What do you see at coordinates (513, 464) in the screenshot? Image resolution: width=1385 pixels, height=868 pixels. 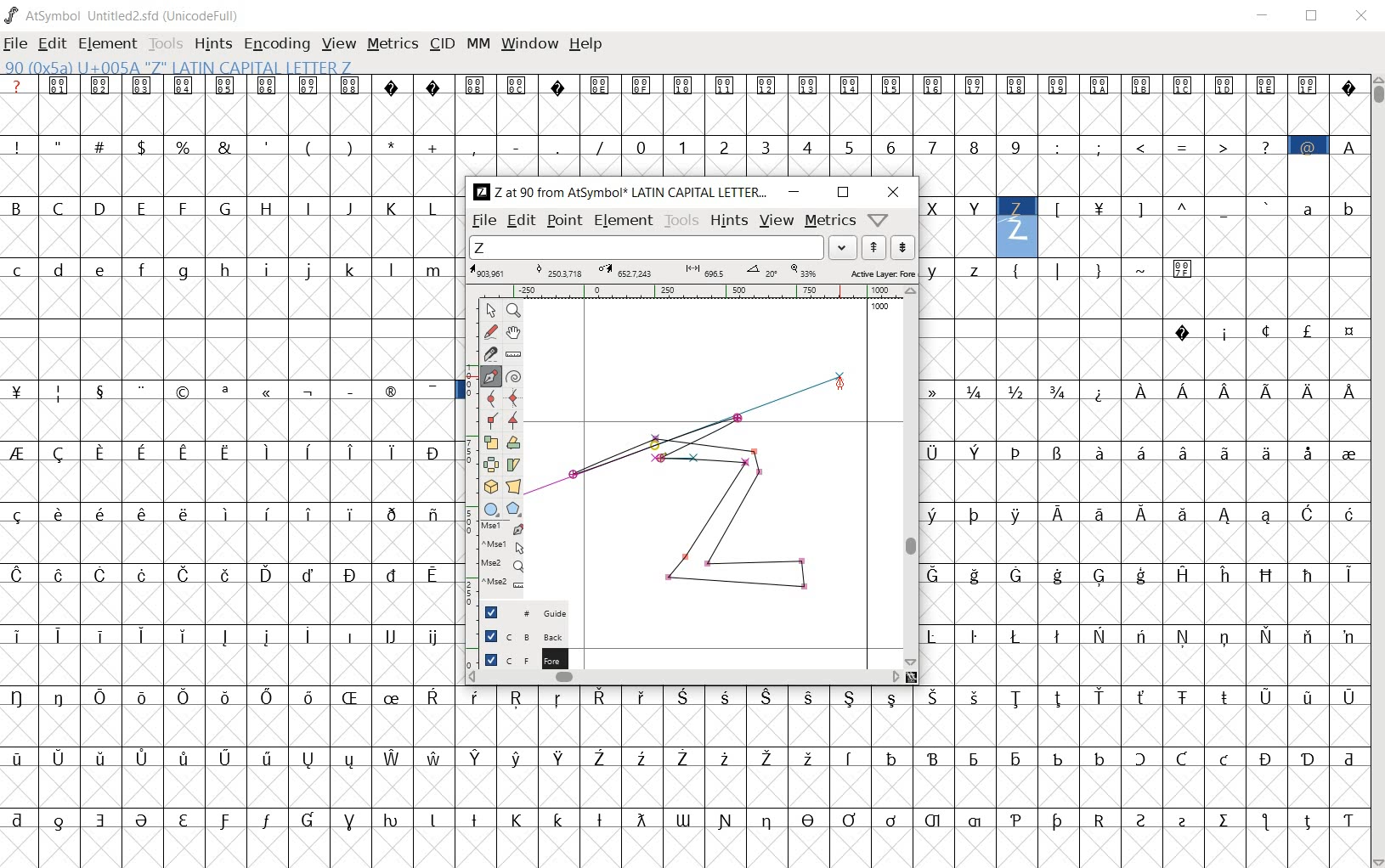 I see `skew the selection` at bounding box center [513, 464].